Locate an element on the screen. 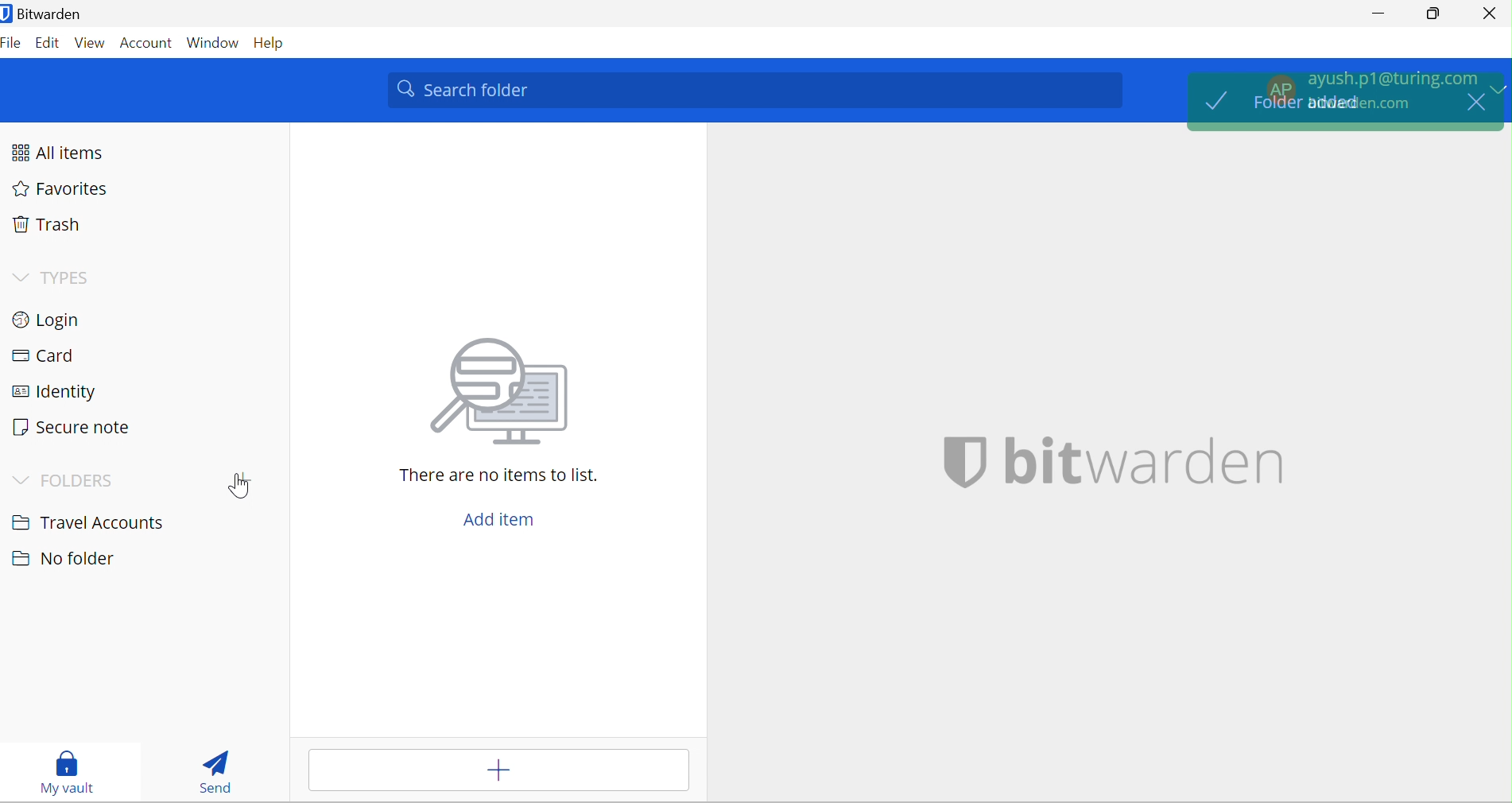 This screenshot has height=803, width=1512. Drop Down is located at coordinates (1500, 90).